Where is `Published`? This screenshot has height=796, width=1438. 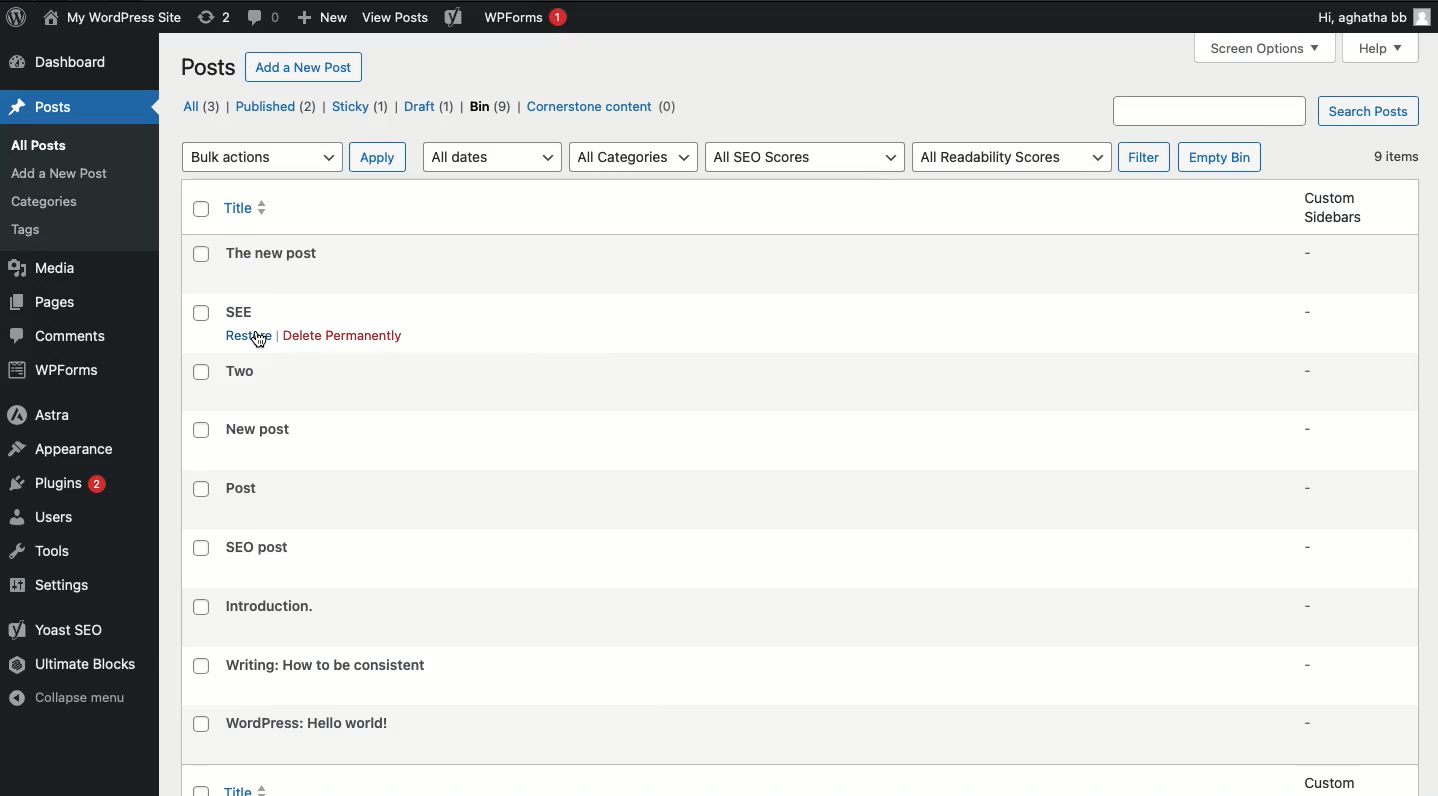
Published is located at coordinates (275, 107).